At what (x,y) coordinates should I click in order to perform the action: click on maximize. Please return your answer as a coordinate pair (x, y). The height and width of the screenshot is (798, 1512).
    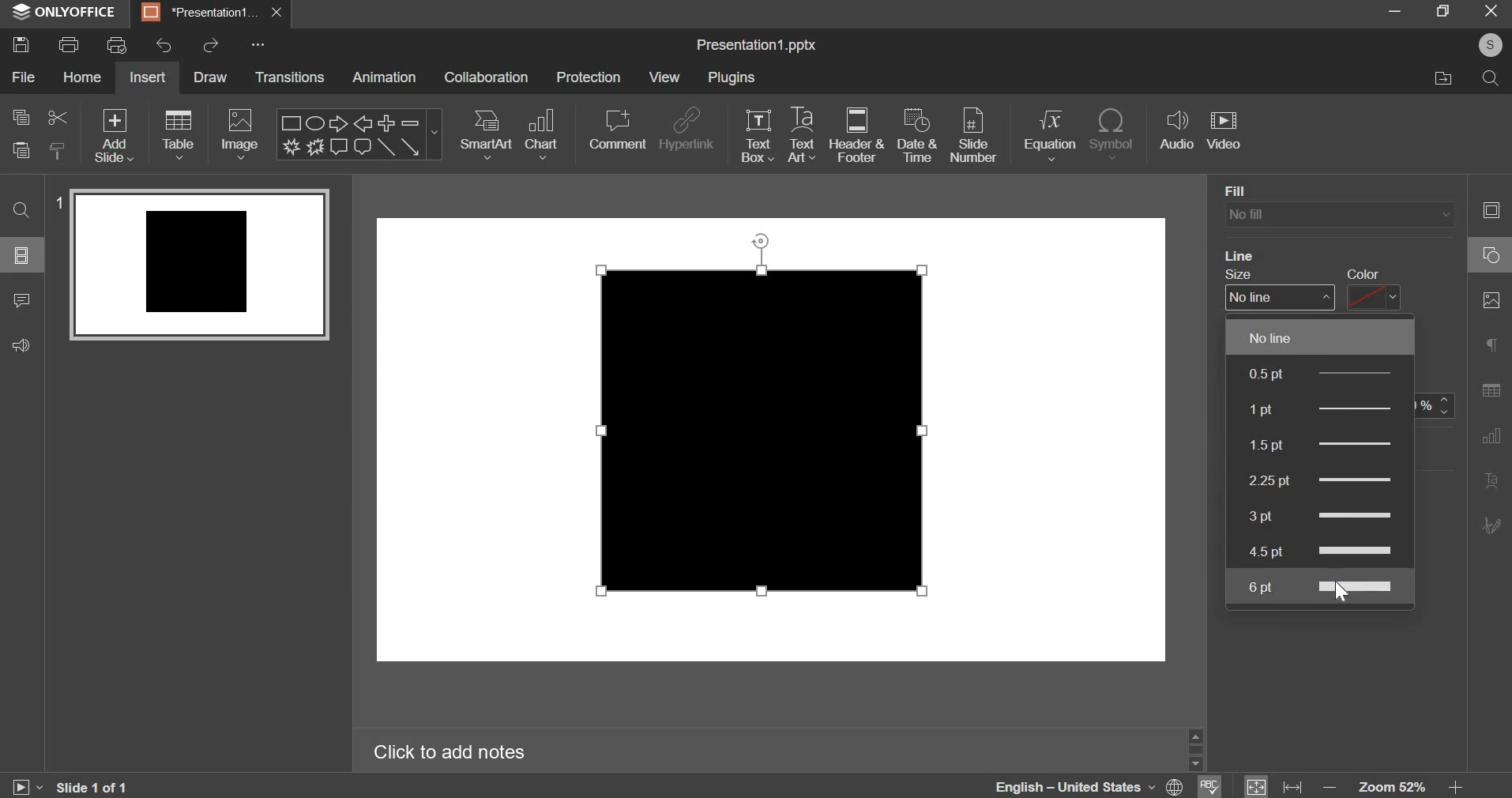
    Looking at the image, I should click on (1443, 11).